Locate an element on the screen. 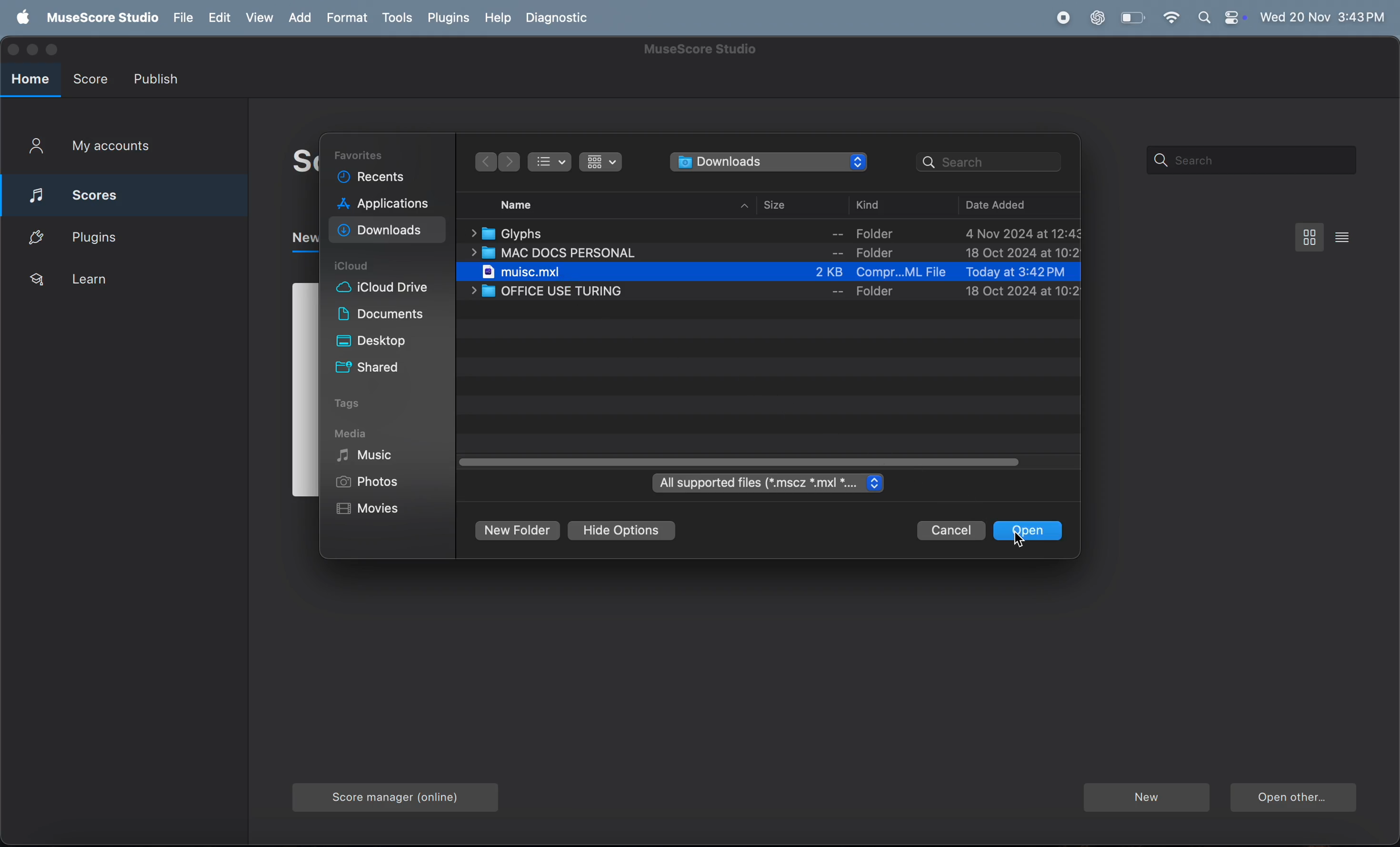  i cloud drive is located at coordinates (390, 290).